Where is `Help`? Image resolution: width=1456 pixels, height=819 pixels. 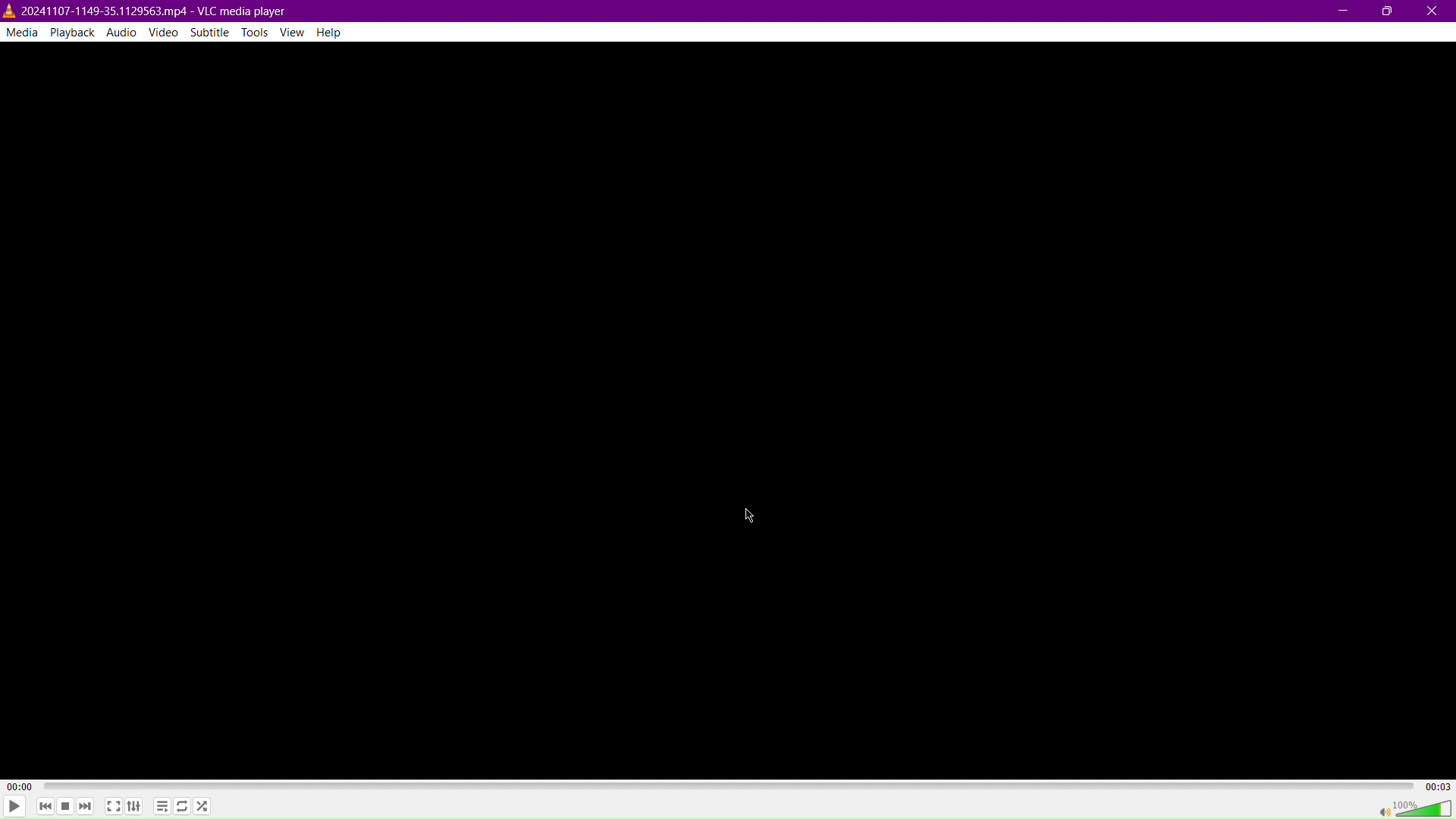
Help is located at coordinates (335, 33).